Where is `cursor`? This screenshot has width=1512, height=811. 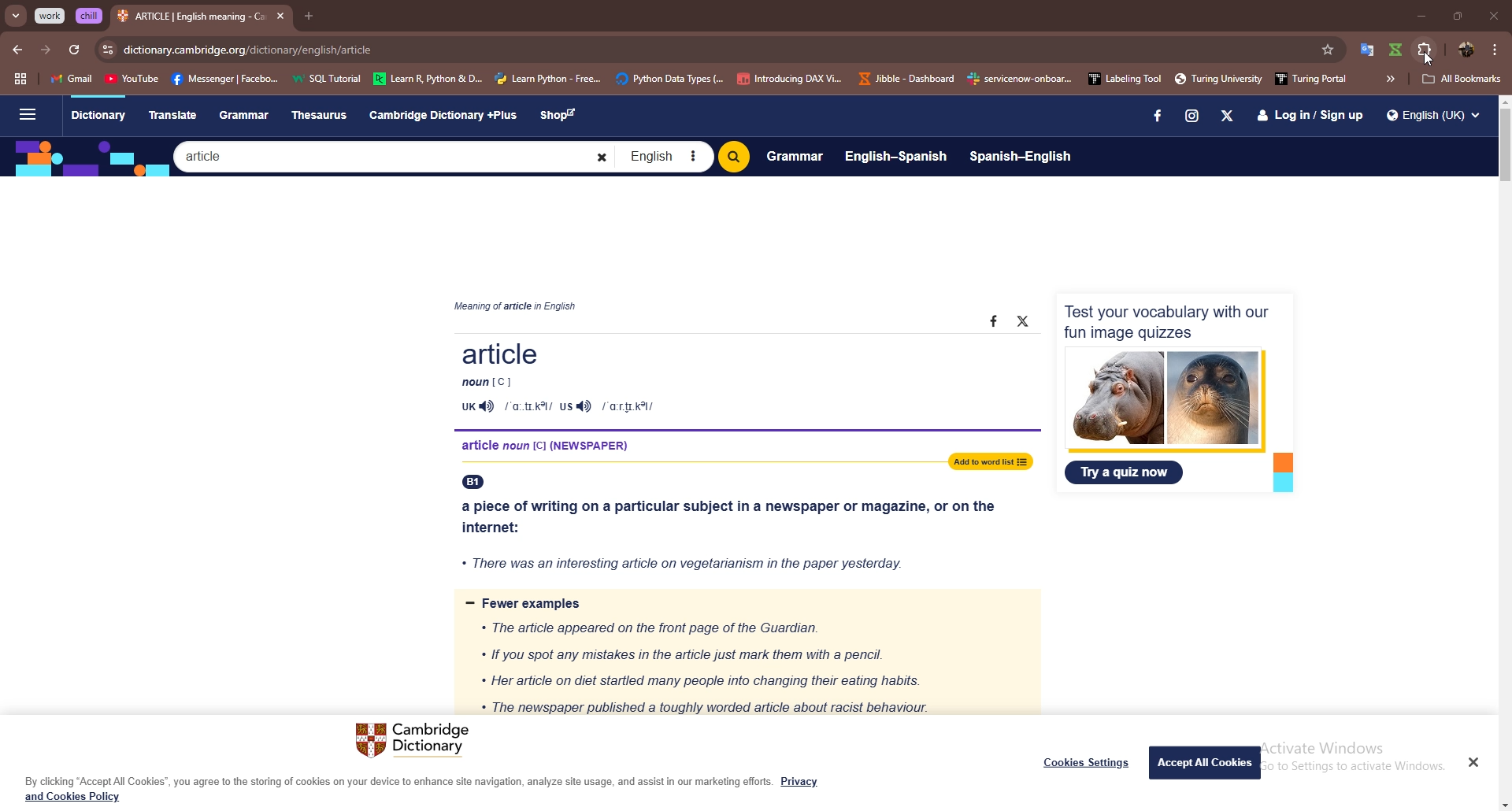 cursor is located at coordinates (1429, 58).